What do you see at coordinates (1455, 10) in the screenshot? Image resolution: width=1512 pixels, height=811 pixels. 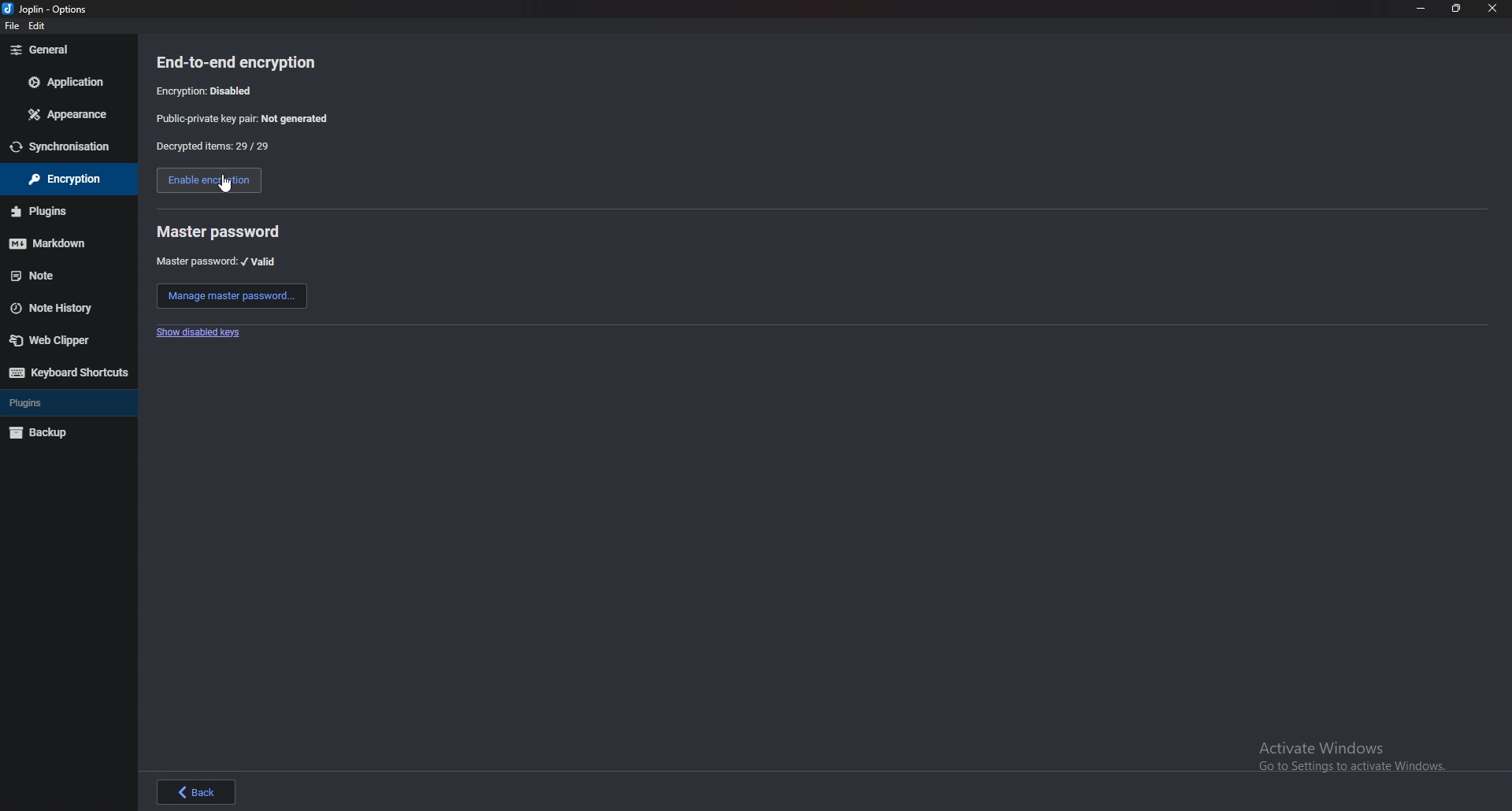 I see `` at bounding box center [1455, 10].